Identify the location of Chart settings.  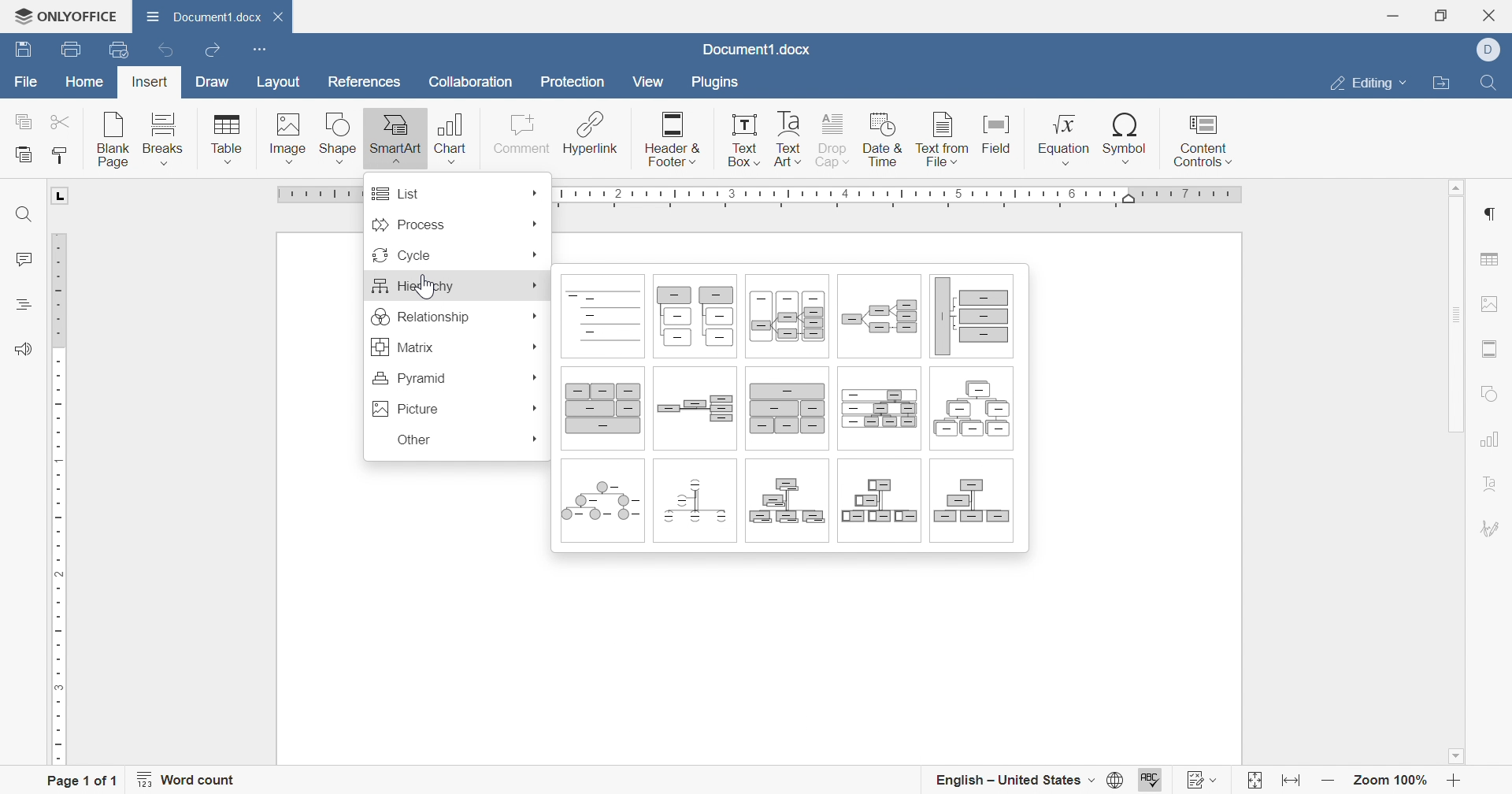
(1492, 438).